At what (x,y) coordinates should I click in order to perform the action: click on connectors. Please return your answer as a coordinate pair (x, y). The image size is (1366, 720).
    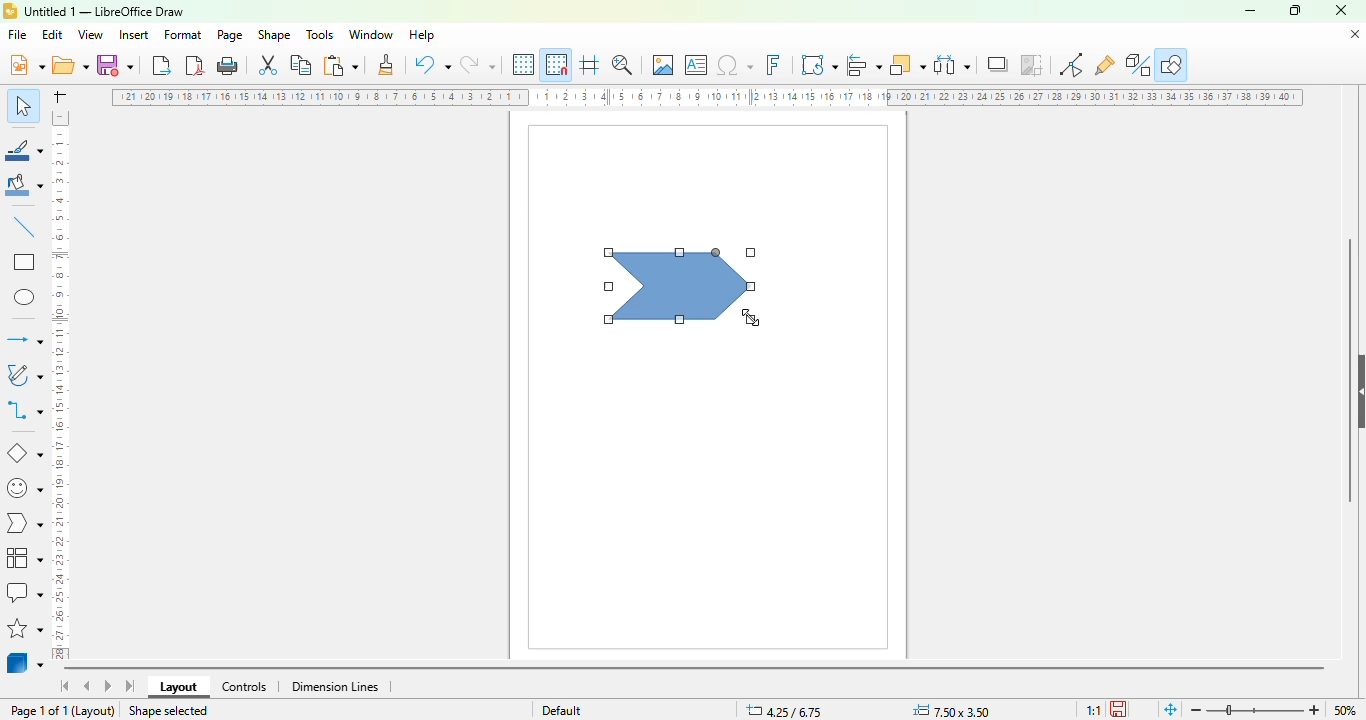
    Looking at the image, I should click on (24, 409).